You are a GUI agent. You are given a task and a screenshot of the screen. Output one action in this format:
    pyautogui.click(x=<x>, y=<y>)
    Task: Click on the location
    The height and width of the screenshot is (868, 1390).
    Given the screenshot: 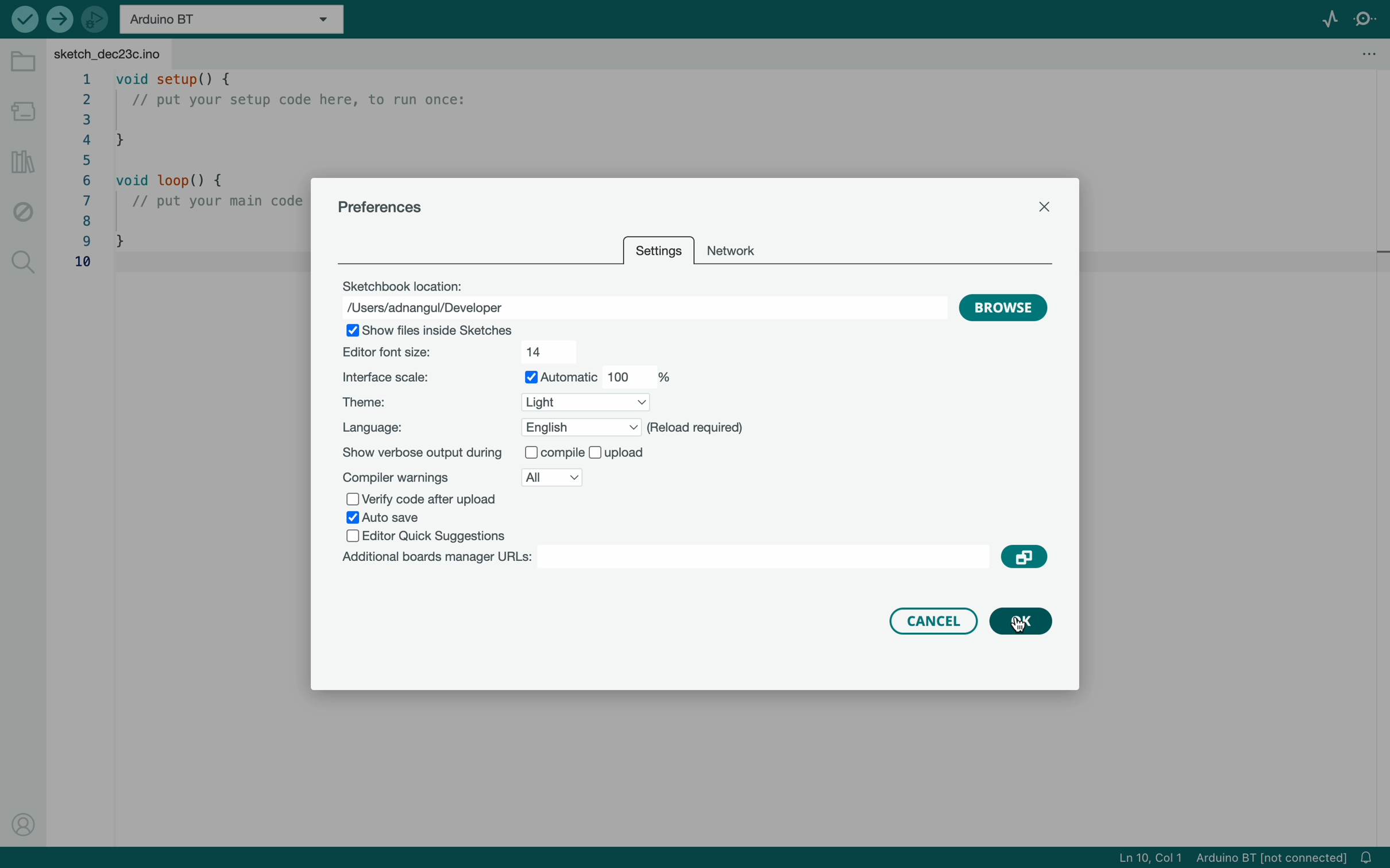 What is the action you would take?
    pyautogui.click(x=640, y=296)
    